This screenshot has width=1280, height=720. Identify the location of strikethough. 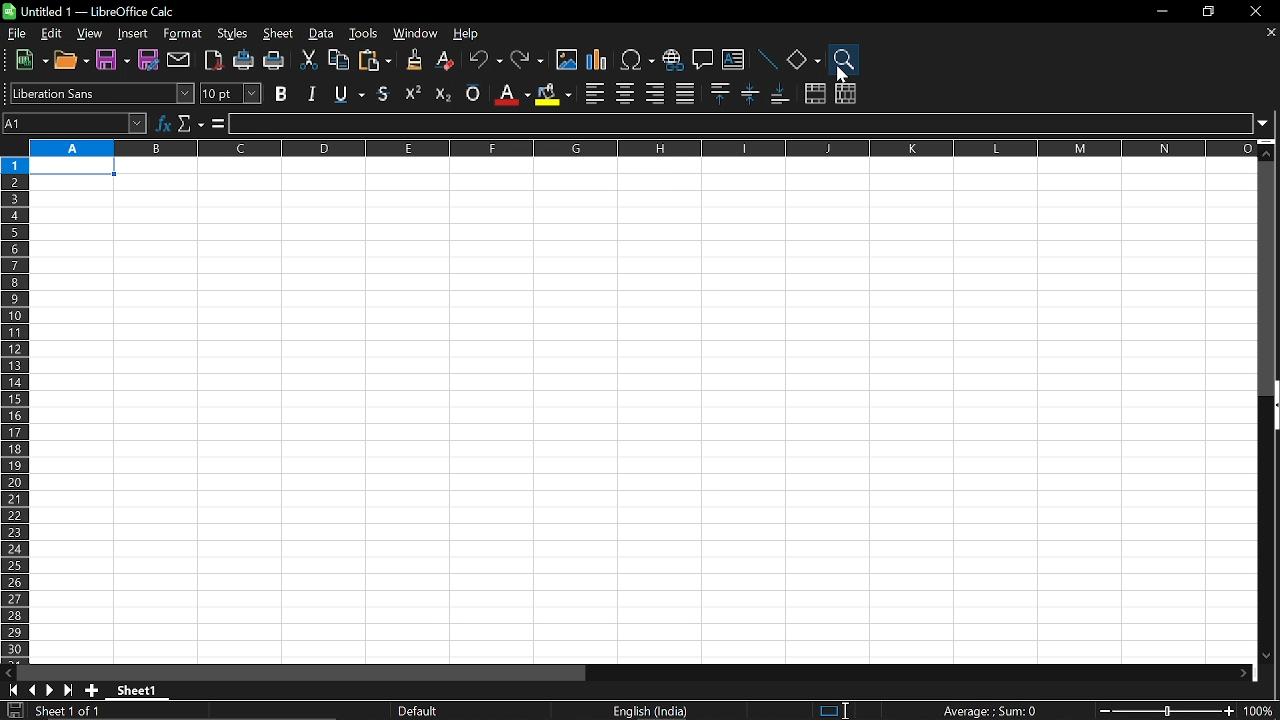
(350, 92).